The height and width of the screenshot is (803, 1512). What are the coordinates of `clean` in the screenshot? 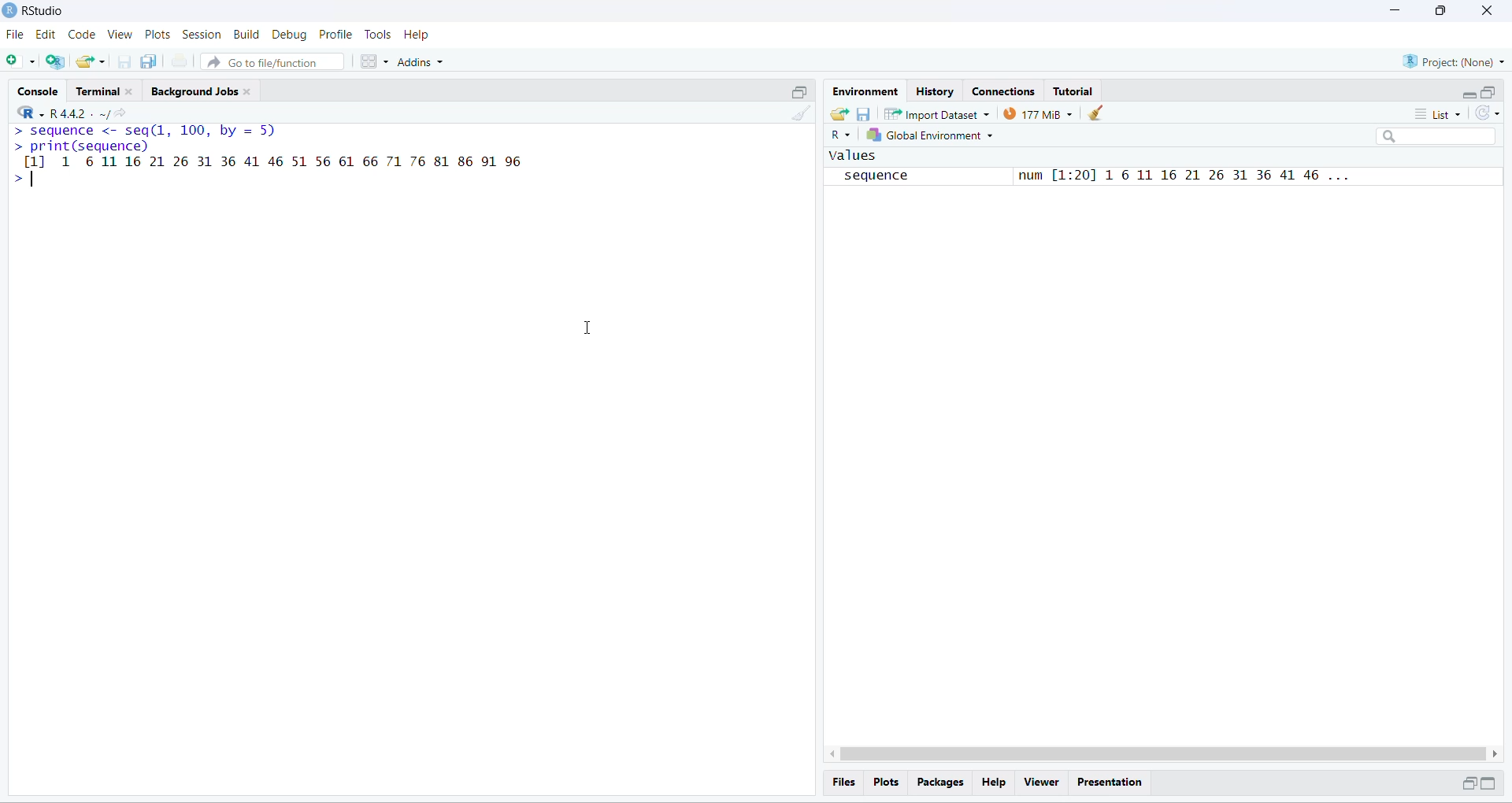 It's located at (1095, 113).